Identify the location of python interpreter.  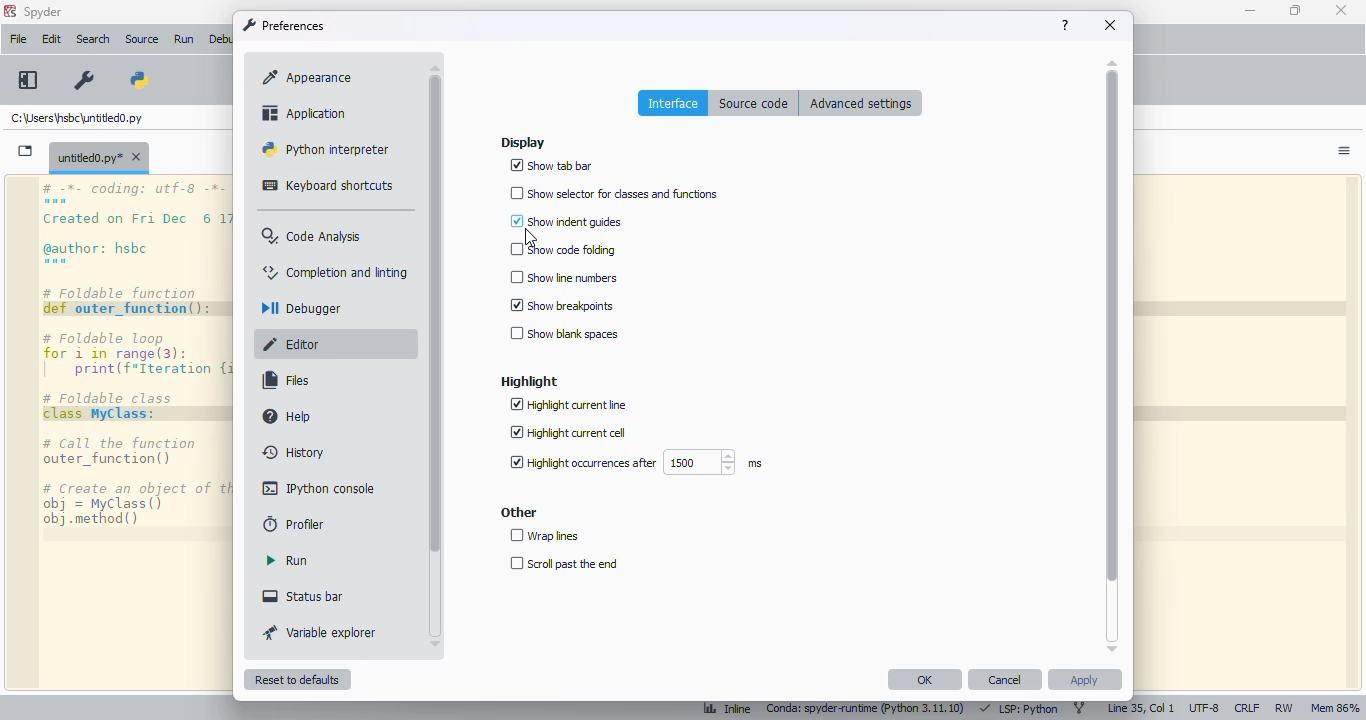
(324, 148).